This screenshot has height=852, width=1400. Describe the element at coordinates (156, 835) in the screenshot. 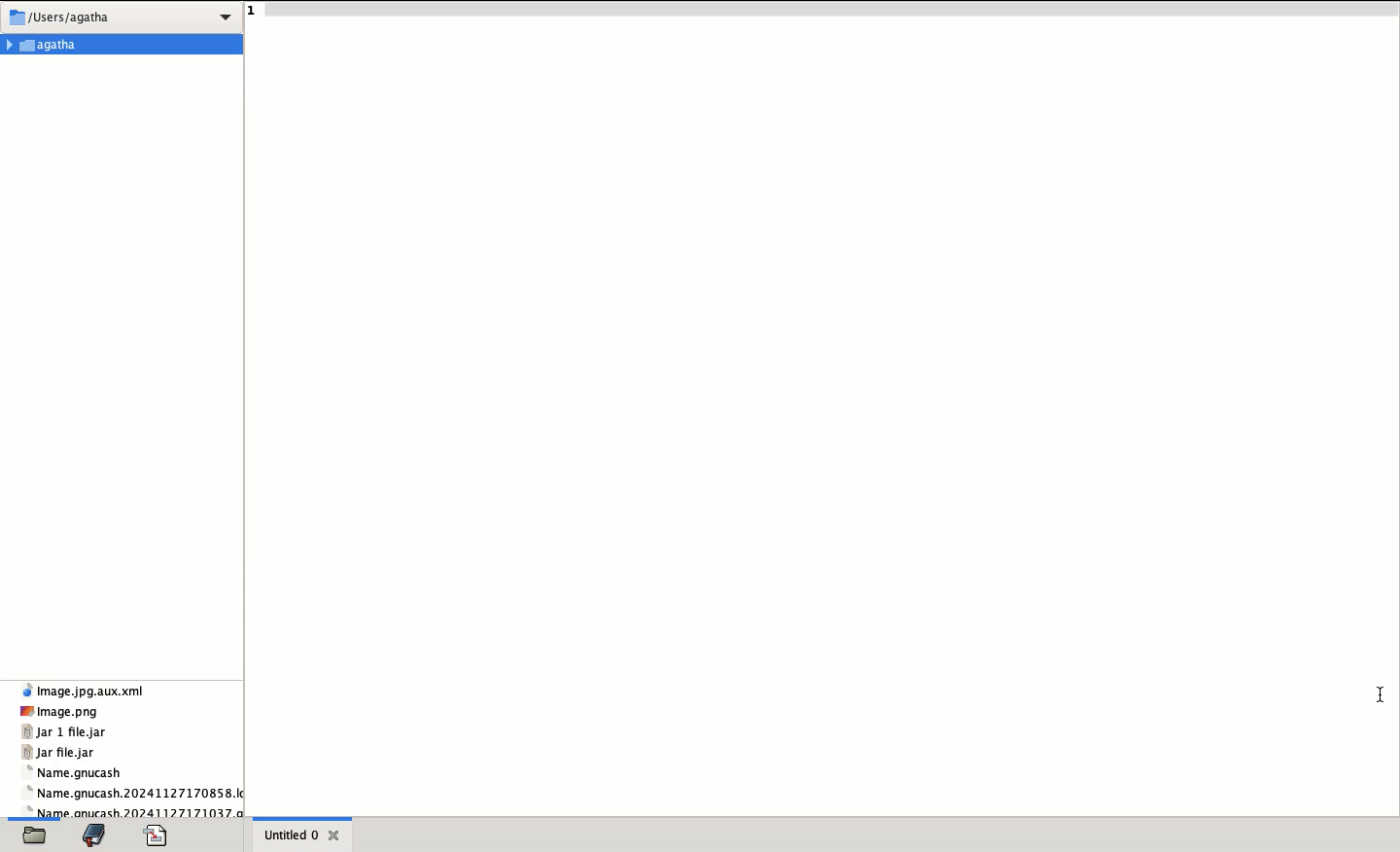

I see `code` at that location.